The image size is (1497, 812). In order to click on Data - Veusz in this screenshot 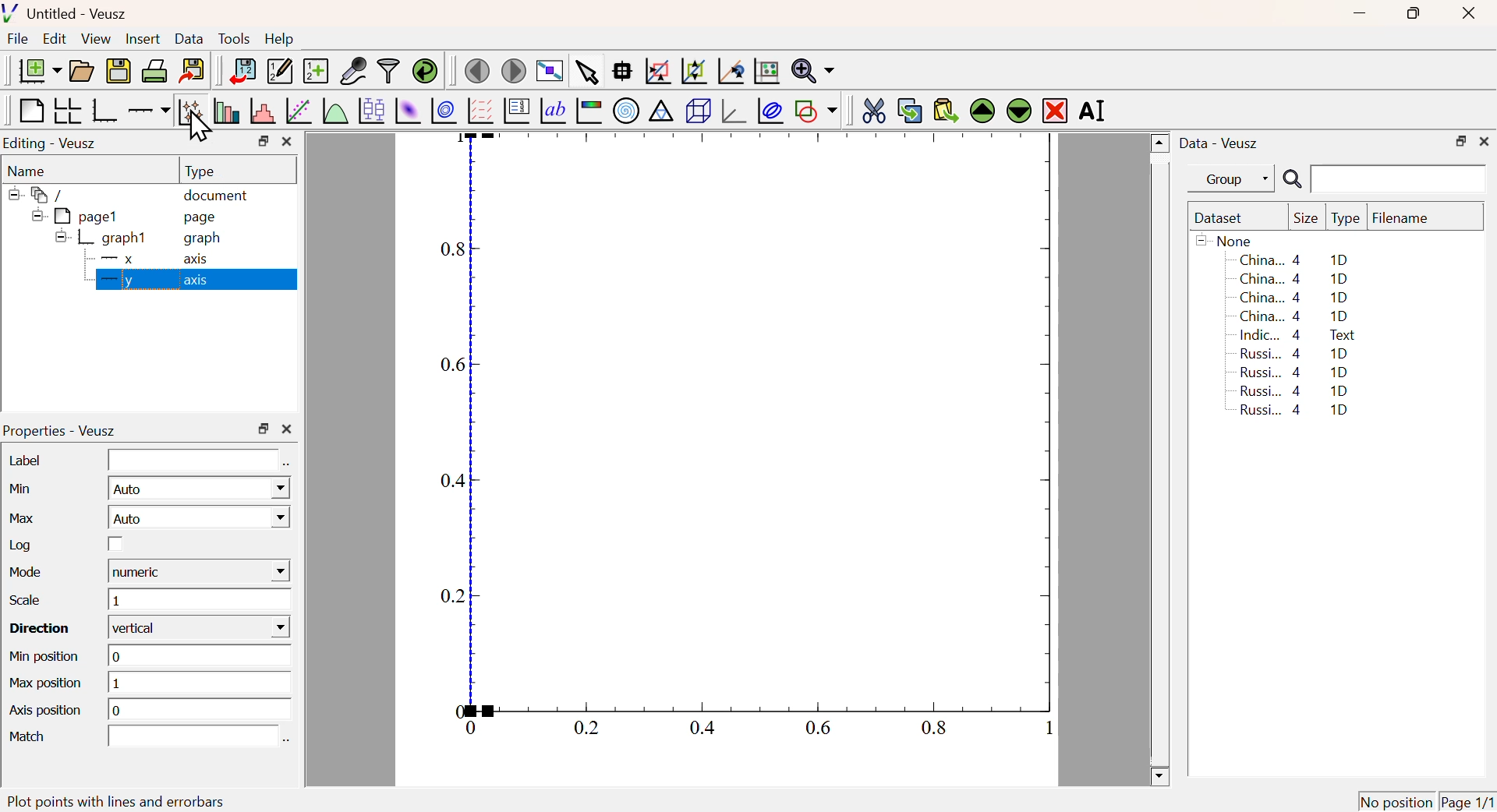, I will do `click(1222, 144)`.